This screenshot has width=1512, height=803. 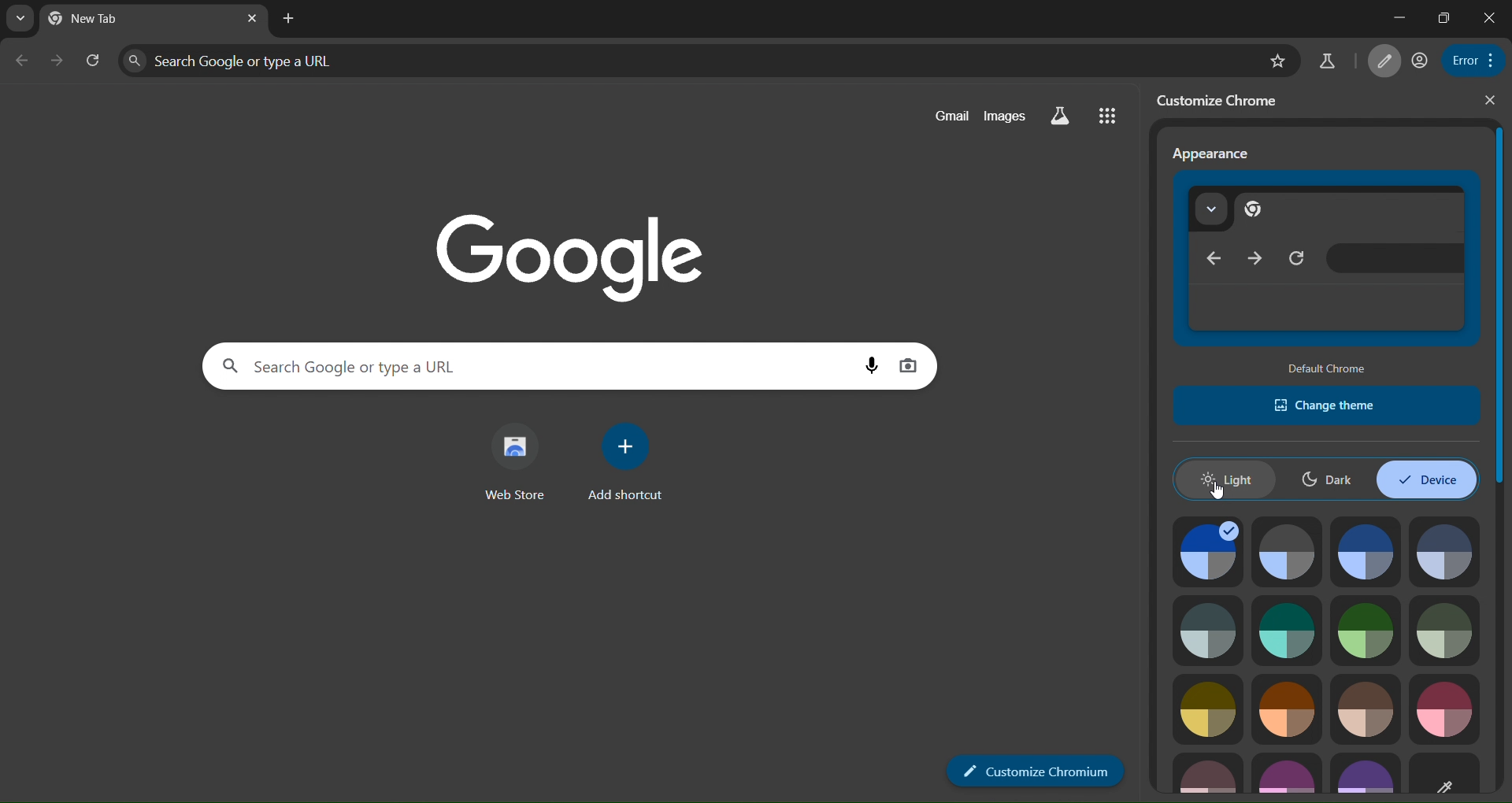 What do you see at coordinates (1225, 101) in the screenshot?
I see `customize chrome` at bounding box center [1225, 101].